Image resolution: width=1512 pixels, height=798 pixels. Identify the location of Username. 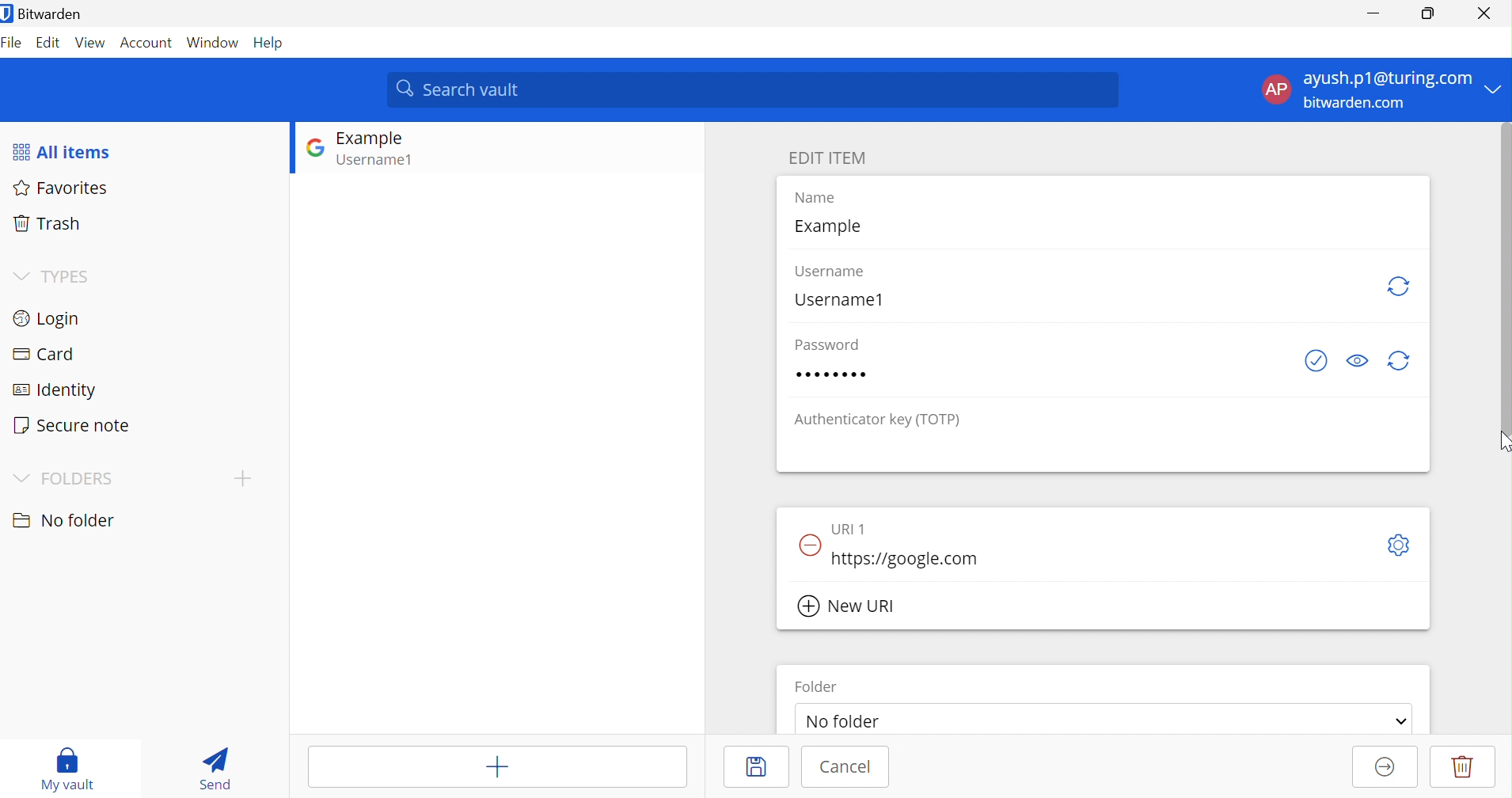
(832, 270).